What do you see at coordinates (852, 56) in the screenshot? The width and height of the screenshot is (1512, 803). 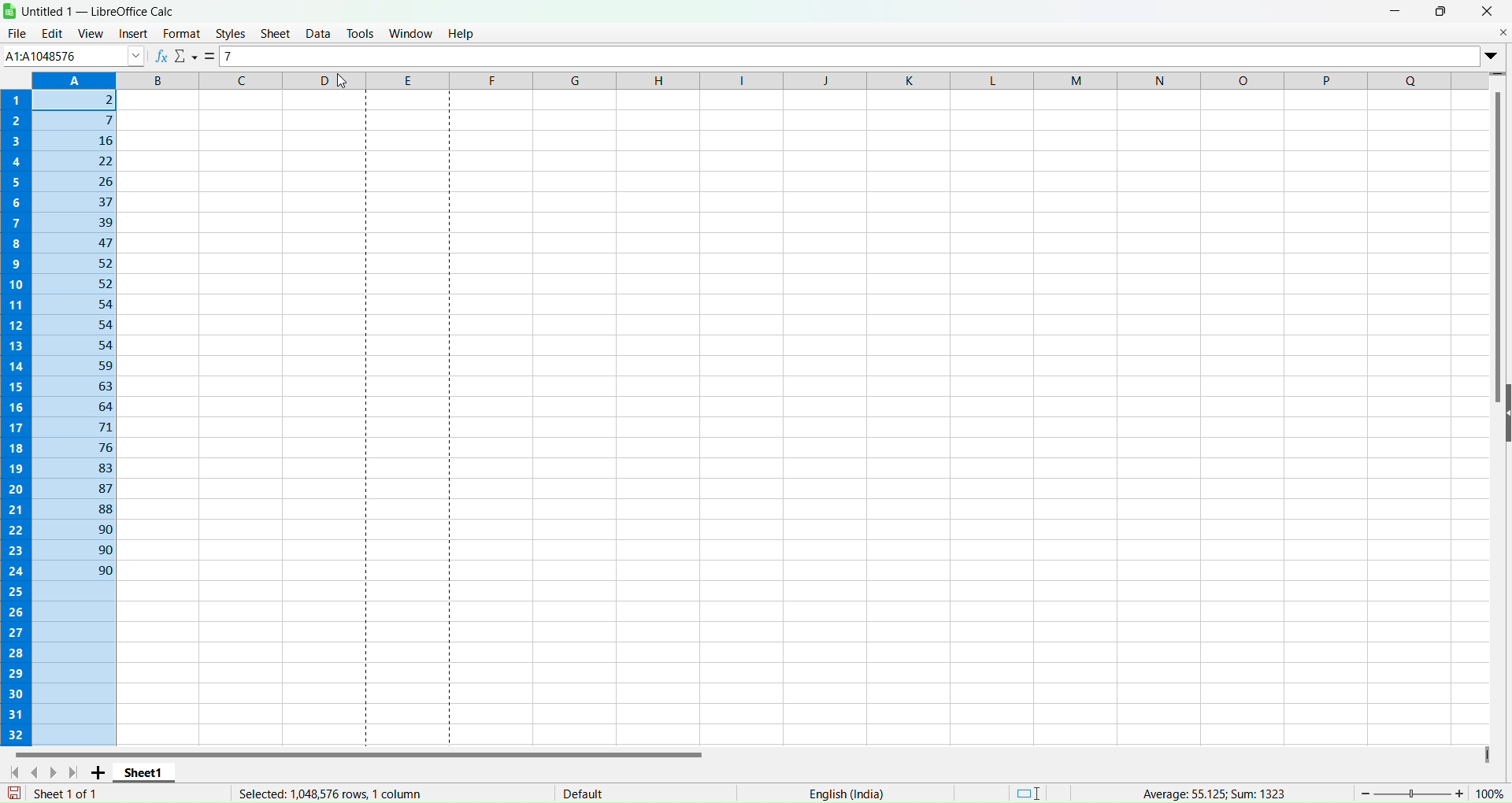 I see `Formula Bar` at bounding box center [852, 56].